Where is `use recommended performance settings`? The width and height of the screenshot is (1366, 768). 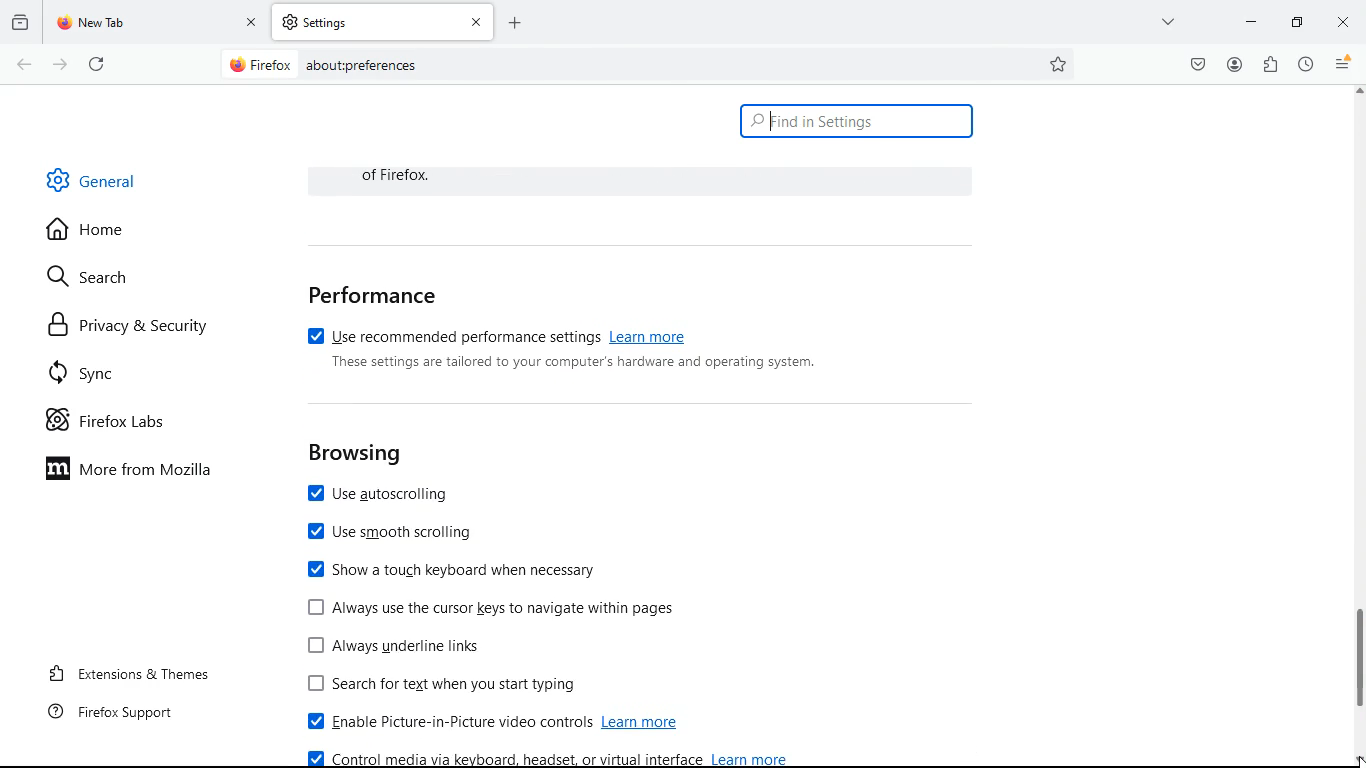 use recommended performance settings is located at coordinates (497, 333).